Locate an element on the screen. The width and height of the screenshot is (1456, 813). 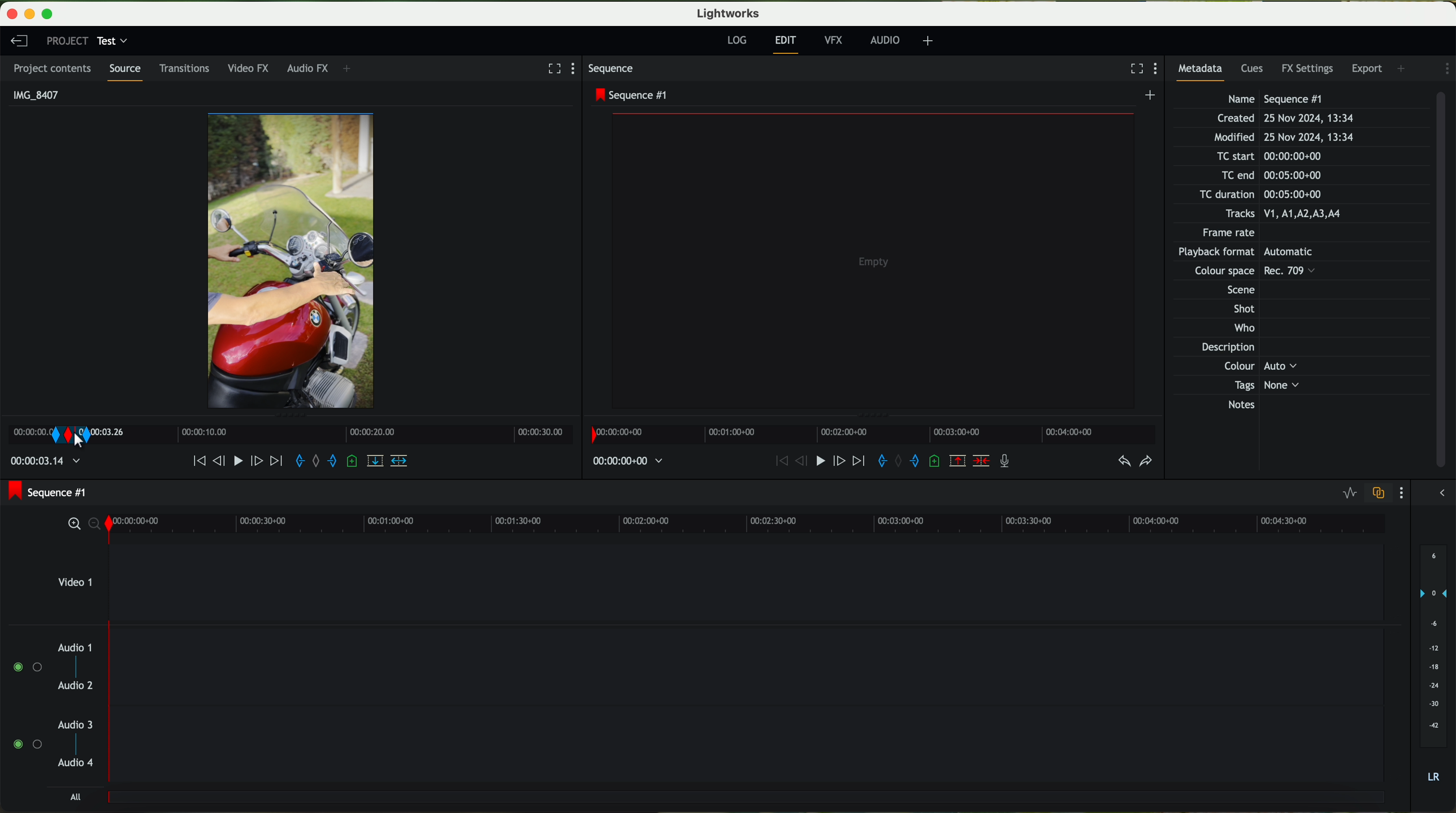
Description is located at coordinates (1241, 348).